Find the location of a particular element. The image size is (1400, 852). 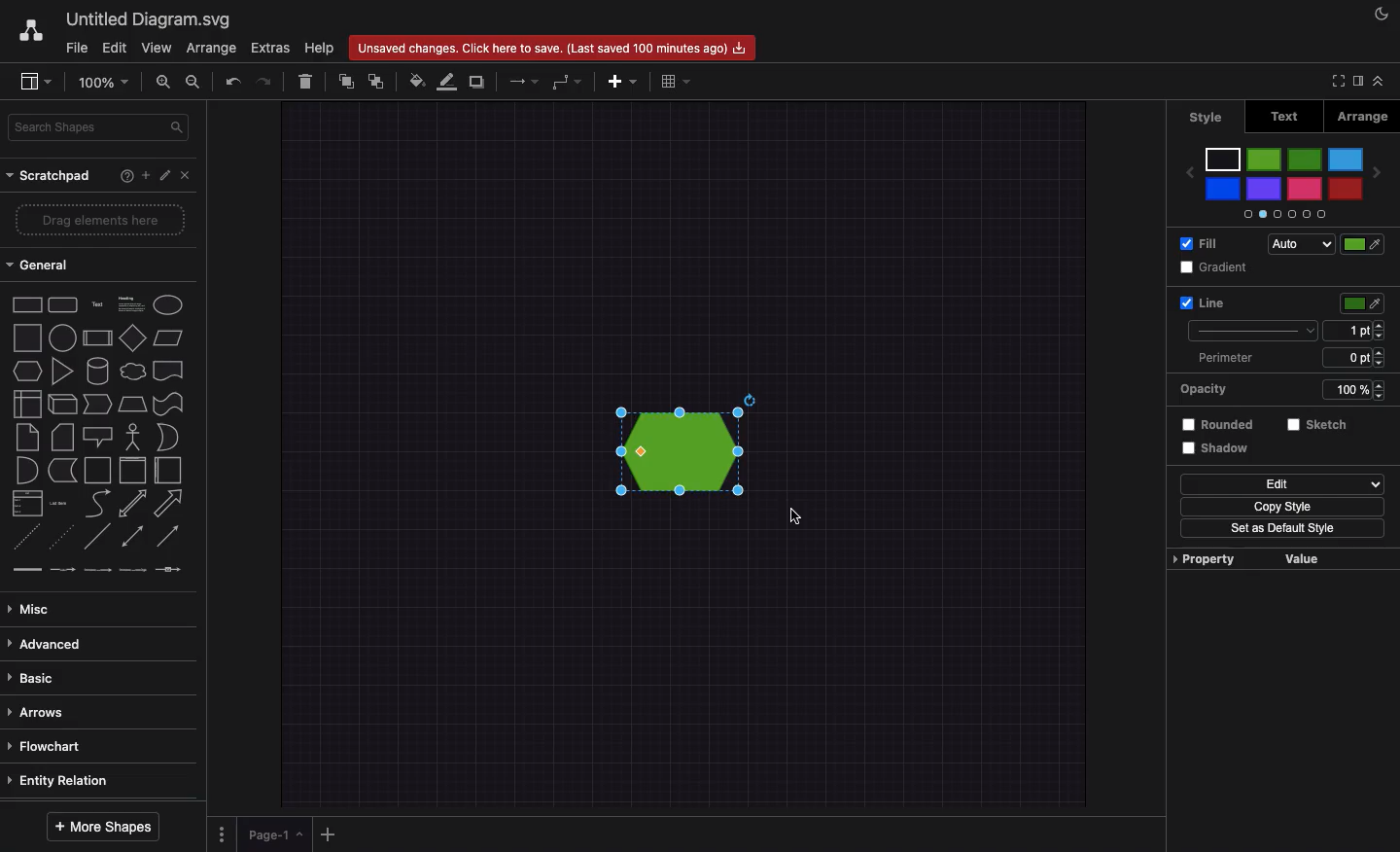

Full screen is located at coordinates (1336, 81).